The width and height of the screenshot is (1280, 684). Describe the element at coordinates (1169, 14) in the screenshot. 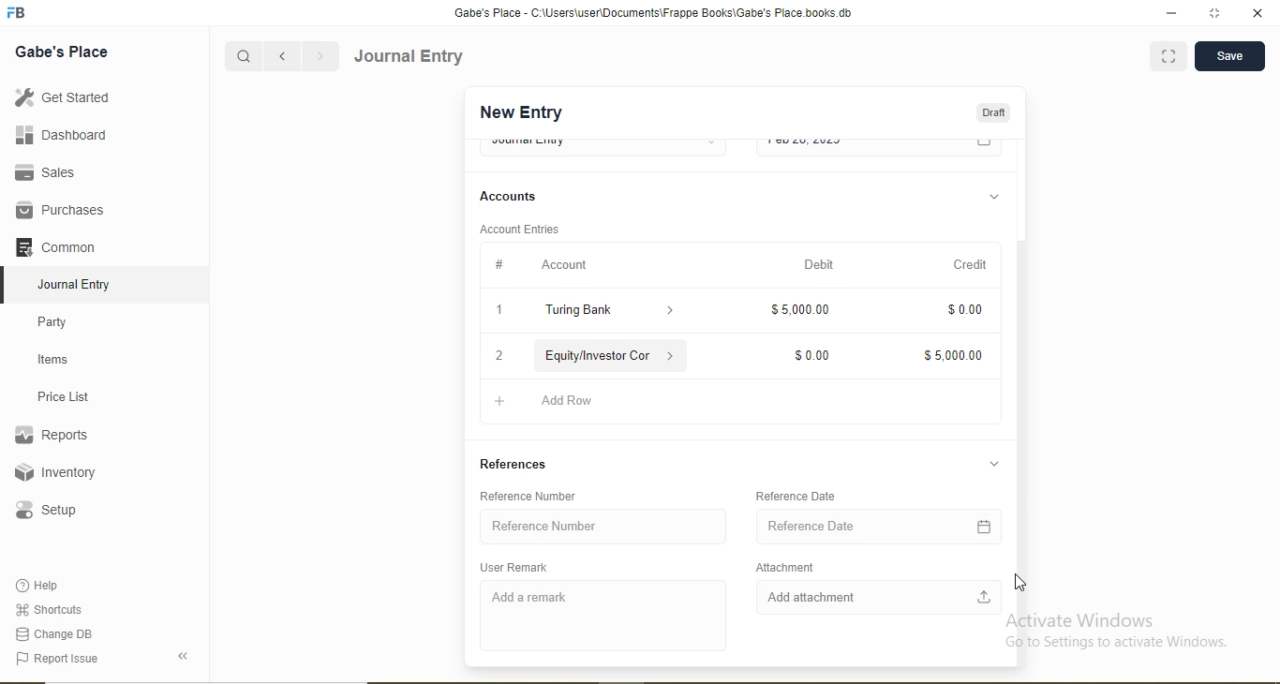

I see `minimize` at that location.